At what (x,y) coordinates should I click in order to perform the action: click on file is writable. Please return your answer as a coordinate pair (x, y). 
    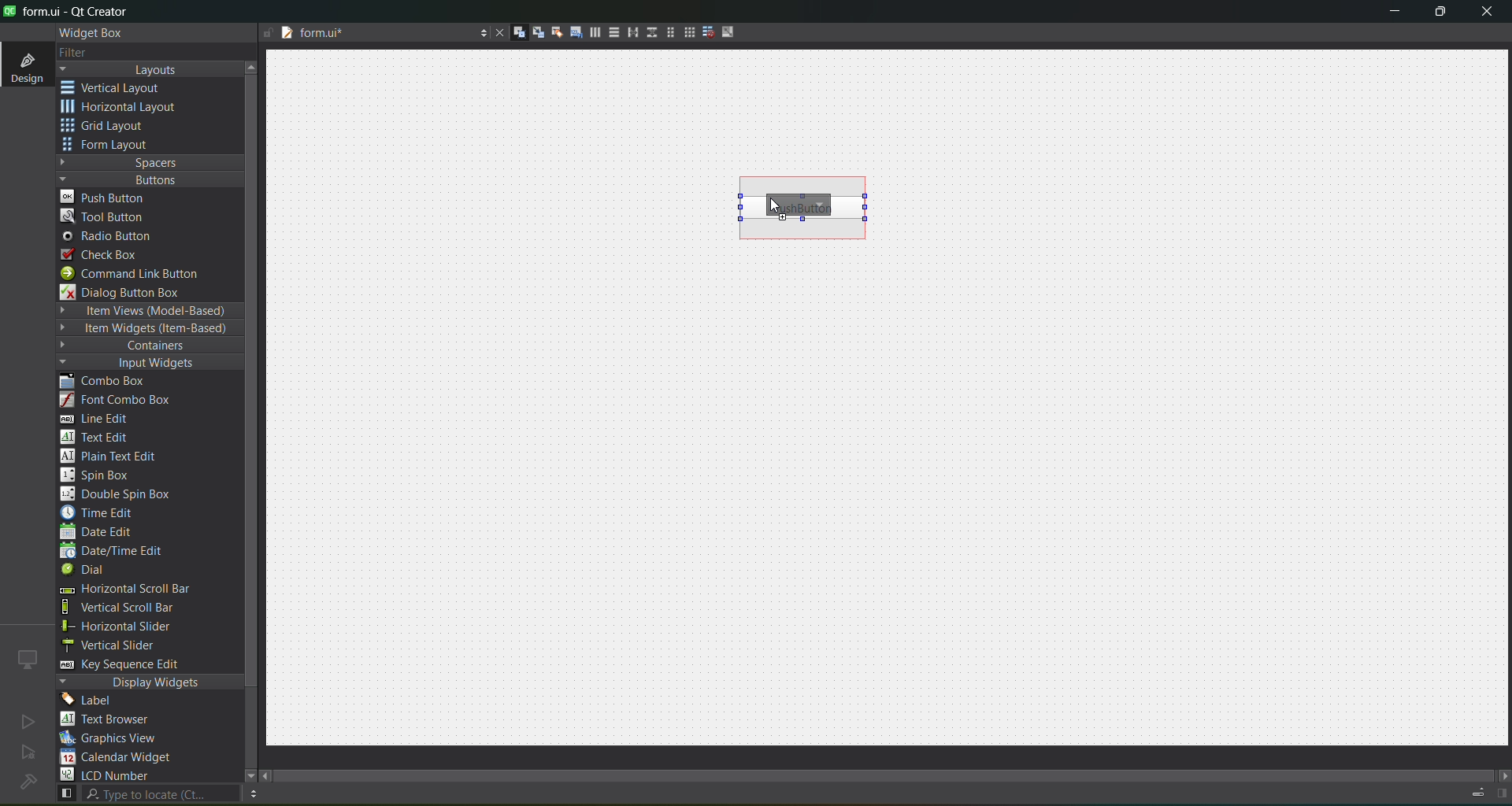
    Looking at the image, I should click on (268, 34).